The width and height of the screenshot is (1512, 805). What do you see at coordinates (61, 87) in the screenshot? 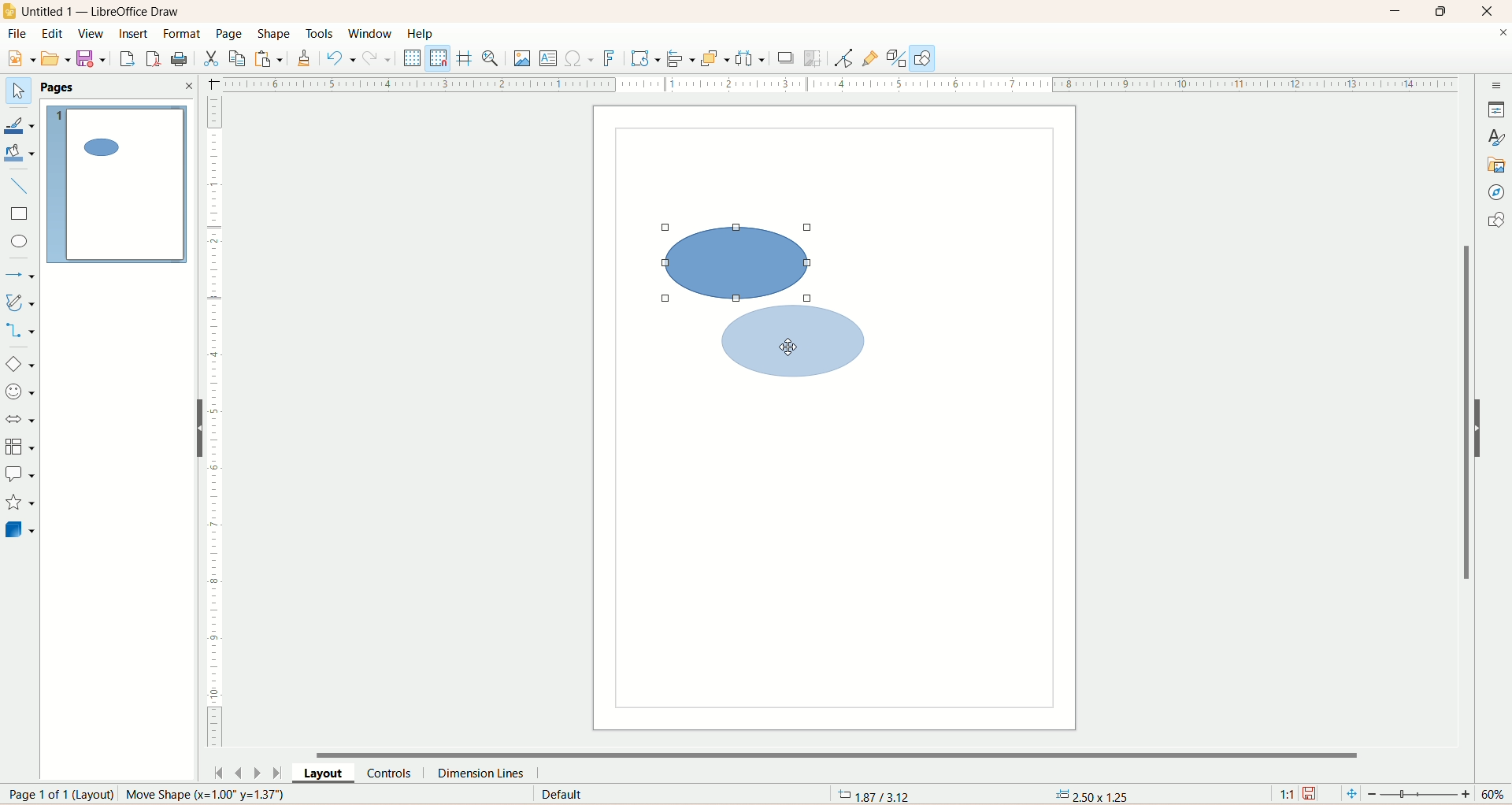
I see `pages` at bounding box center [61, 87].